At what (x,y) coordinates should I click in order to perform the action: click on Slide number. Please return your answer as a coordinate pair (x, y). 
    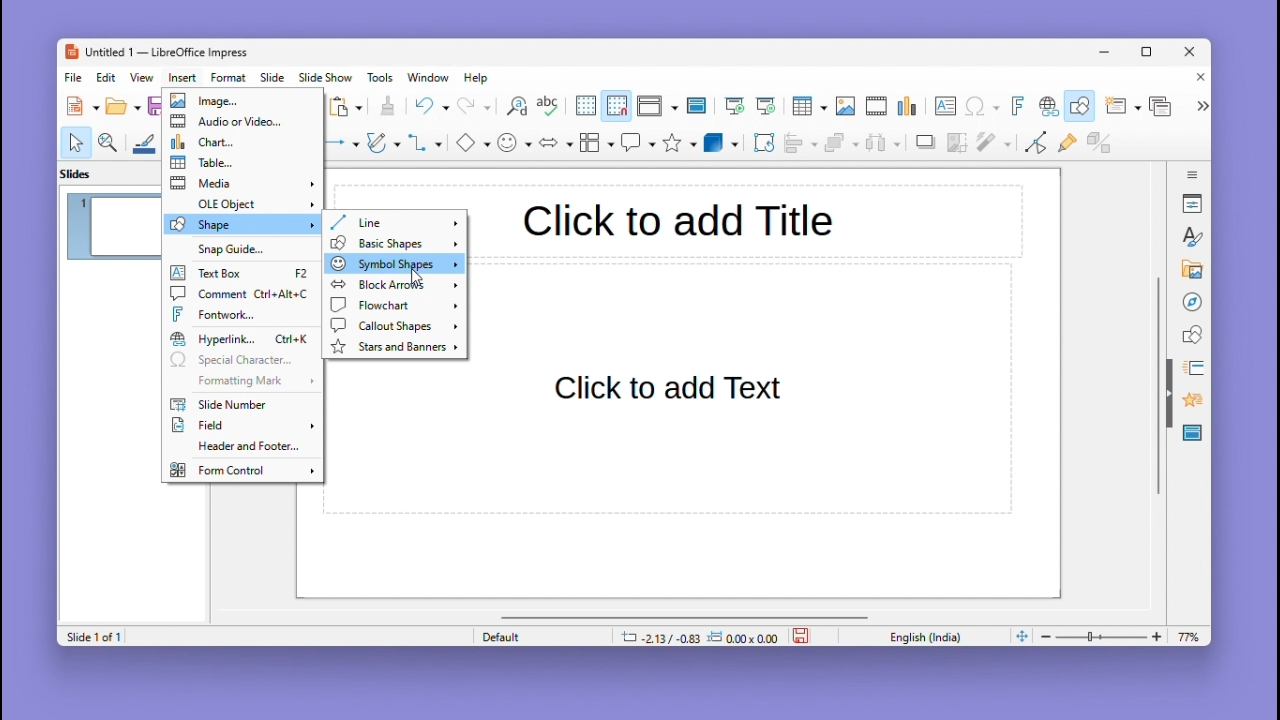
    Looking at the image, I should click on (234, 405).